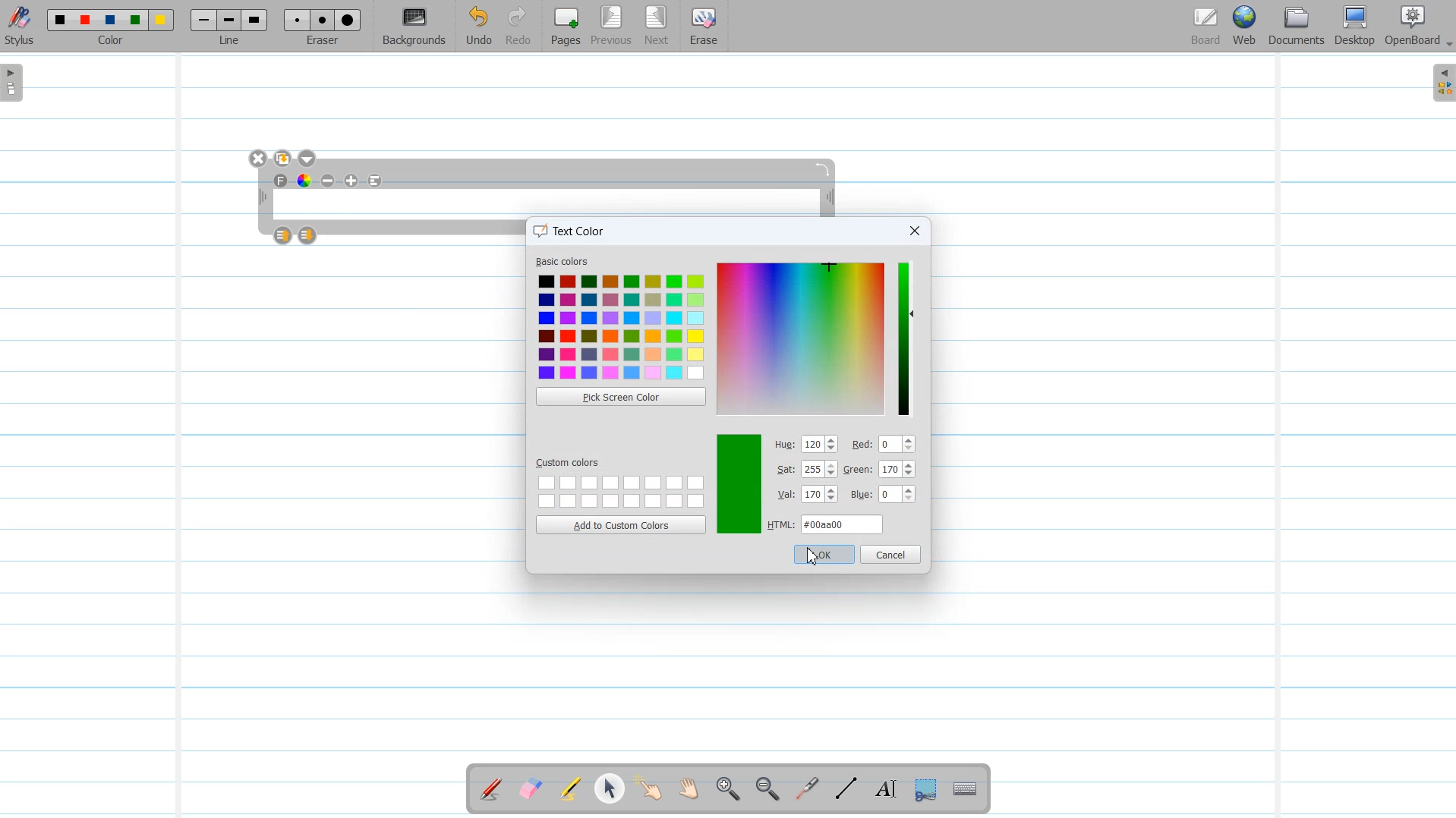 This screenshot has height=818, width=1456. Describe the element at coordinates (621, 327) in the screenshot. I see `Text Colors` at that location.